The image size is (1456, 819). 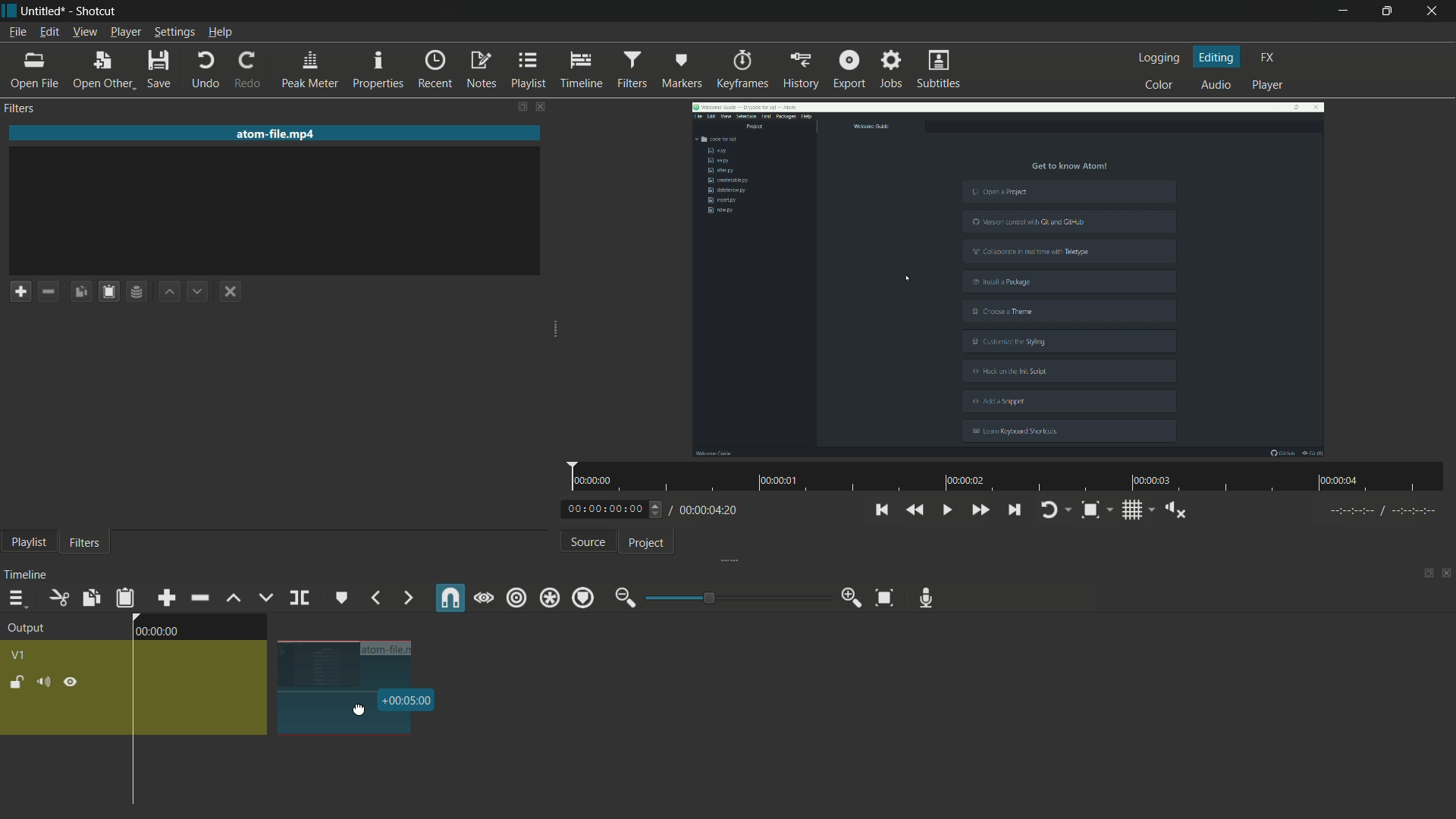 What do you see at coordinates (711, 512) in the screenshot?
I see `total time` at bounding box center [711, 512].